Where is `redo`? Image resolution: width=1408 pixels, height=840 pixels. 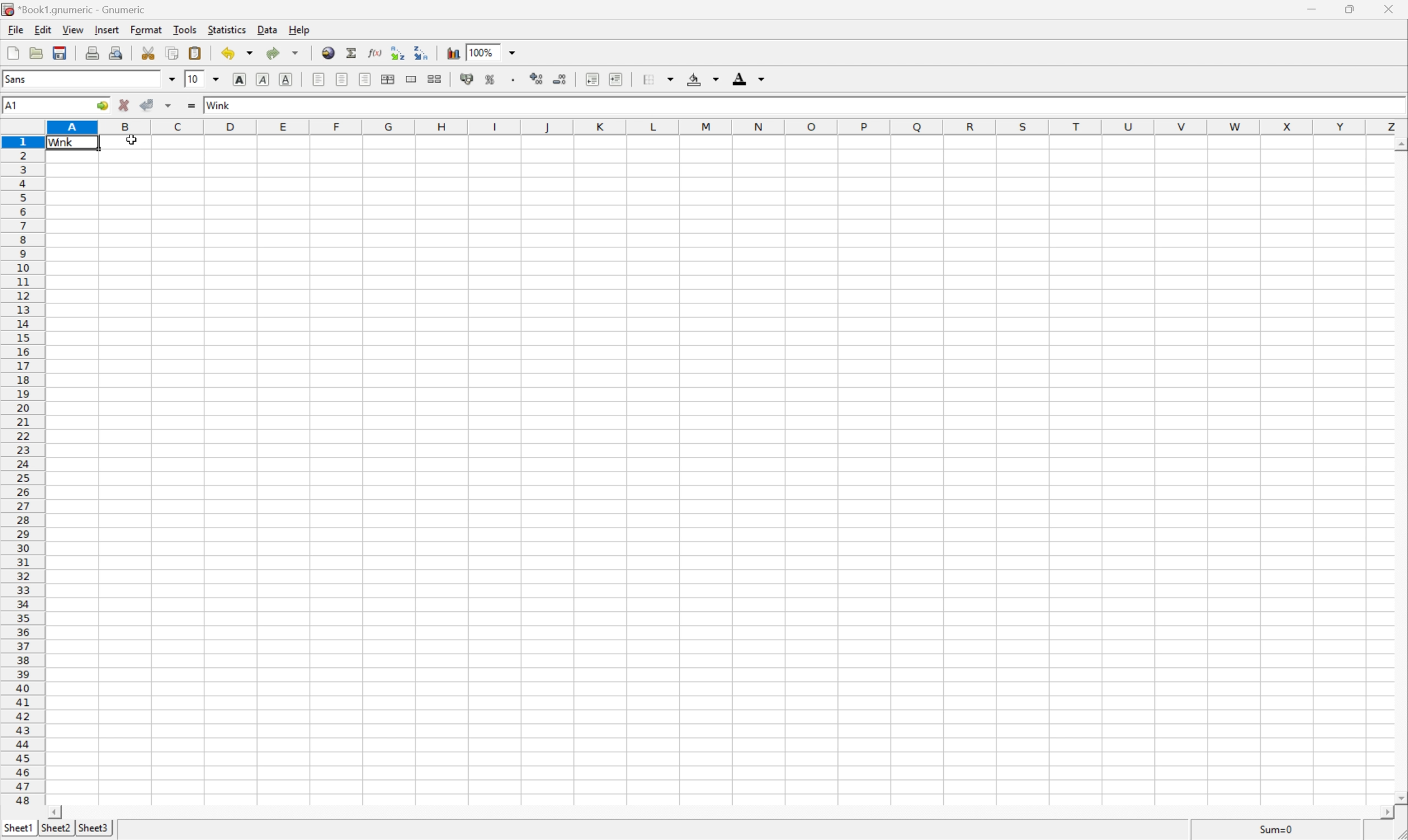 redo is located at coordinates (284, 55).